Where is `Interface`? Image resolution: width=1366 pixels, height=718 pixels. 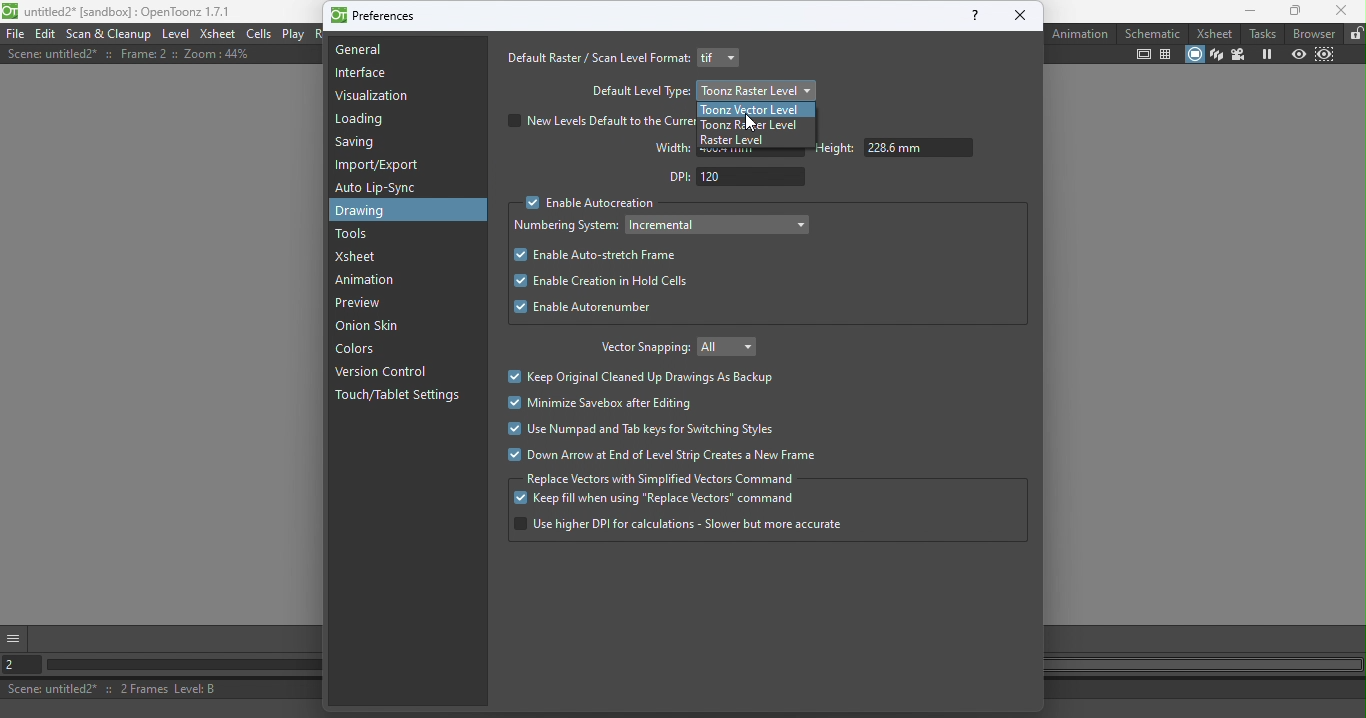 Interface is located at coordinates (360, 73).